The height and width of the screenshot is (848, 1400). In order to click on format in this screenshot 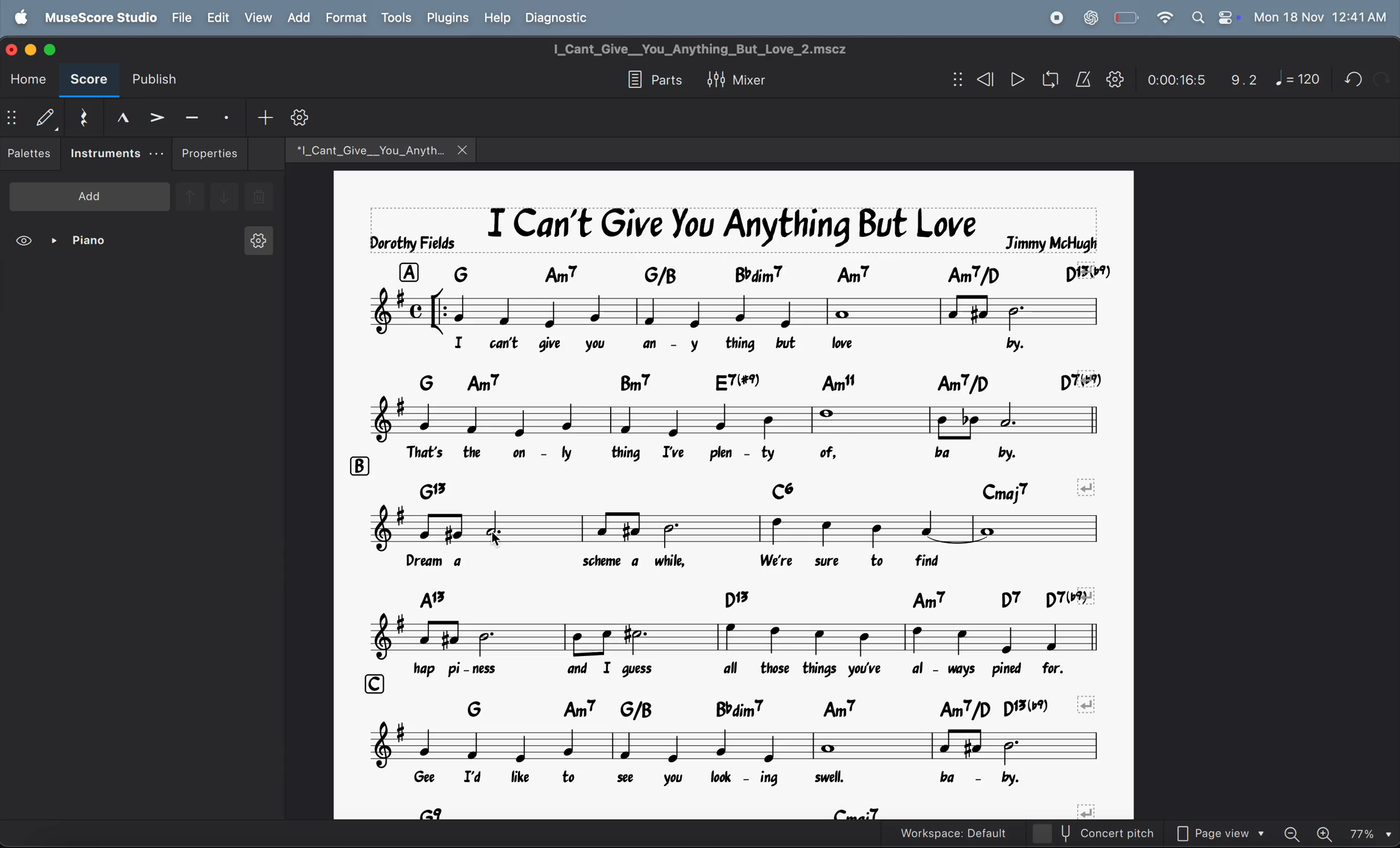, I will do `click(348, 19)`.